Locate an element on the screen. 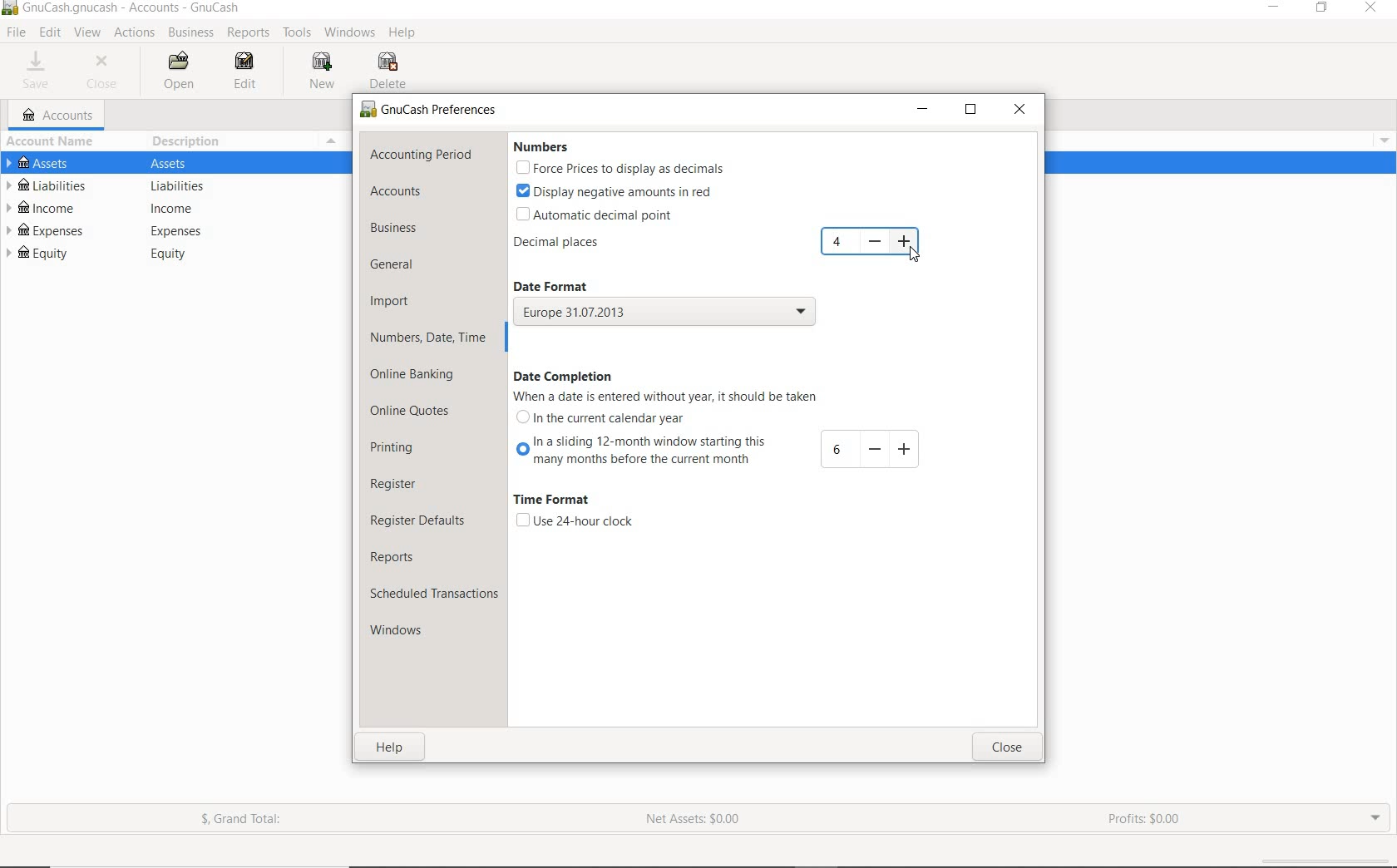 The height and width of the screenshot is (868, 1397). display negative amounts in red is located at coordinates (614, 191).